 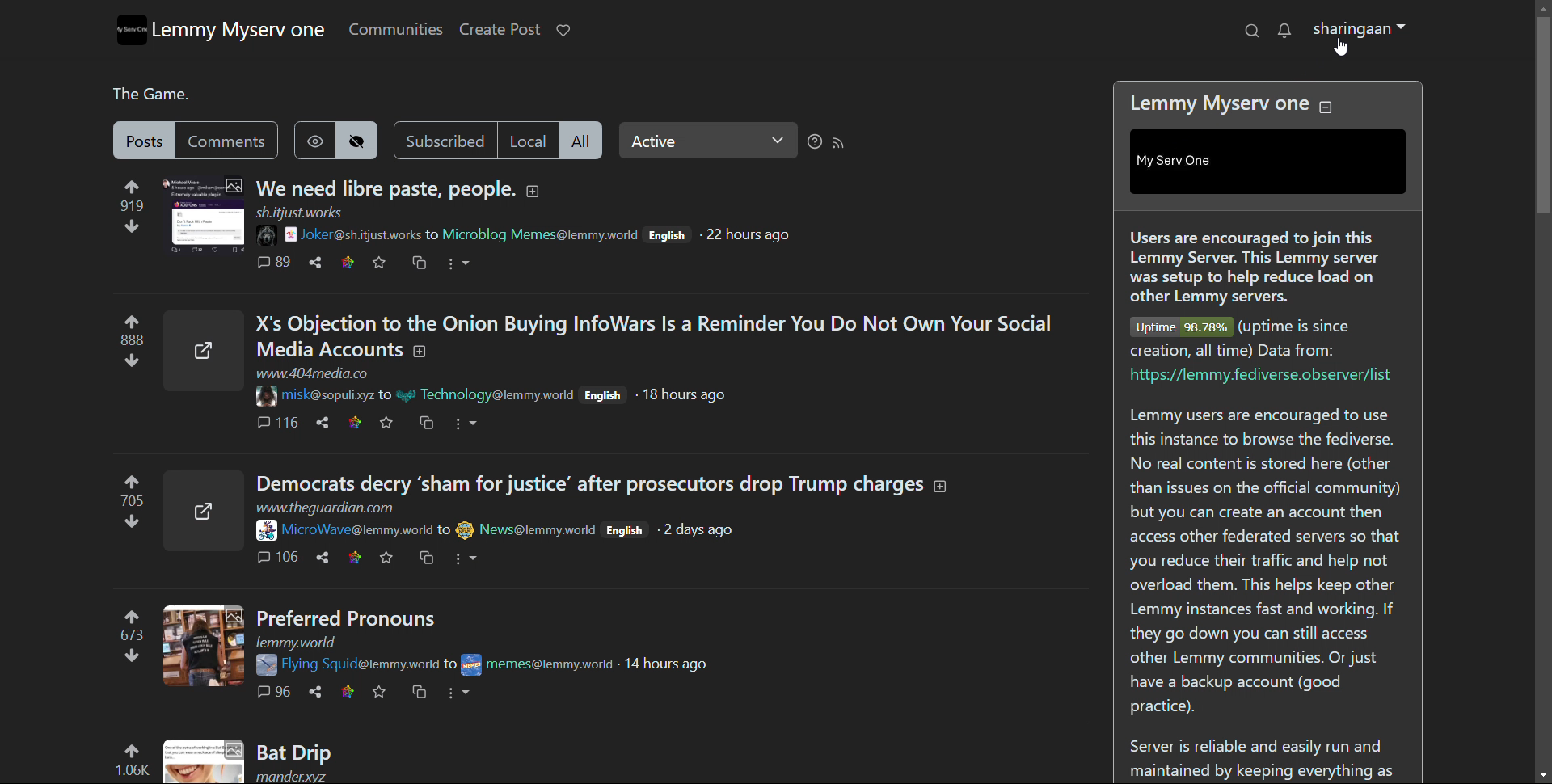 What do you see at coordinates (328, 422) in the screenshot?
I see `share` at bounding box center [328, 422].